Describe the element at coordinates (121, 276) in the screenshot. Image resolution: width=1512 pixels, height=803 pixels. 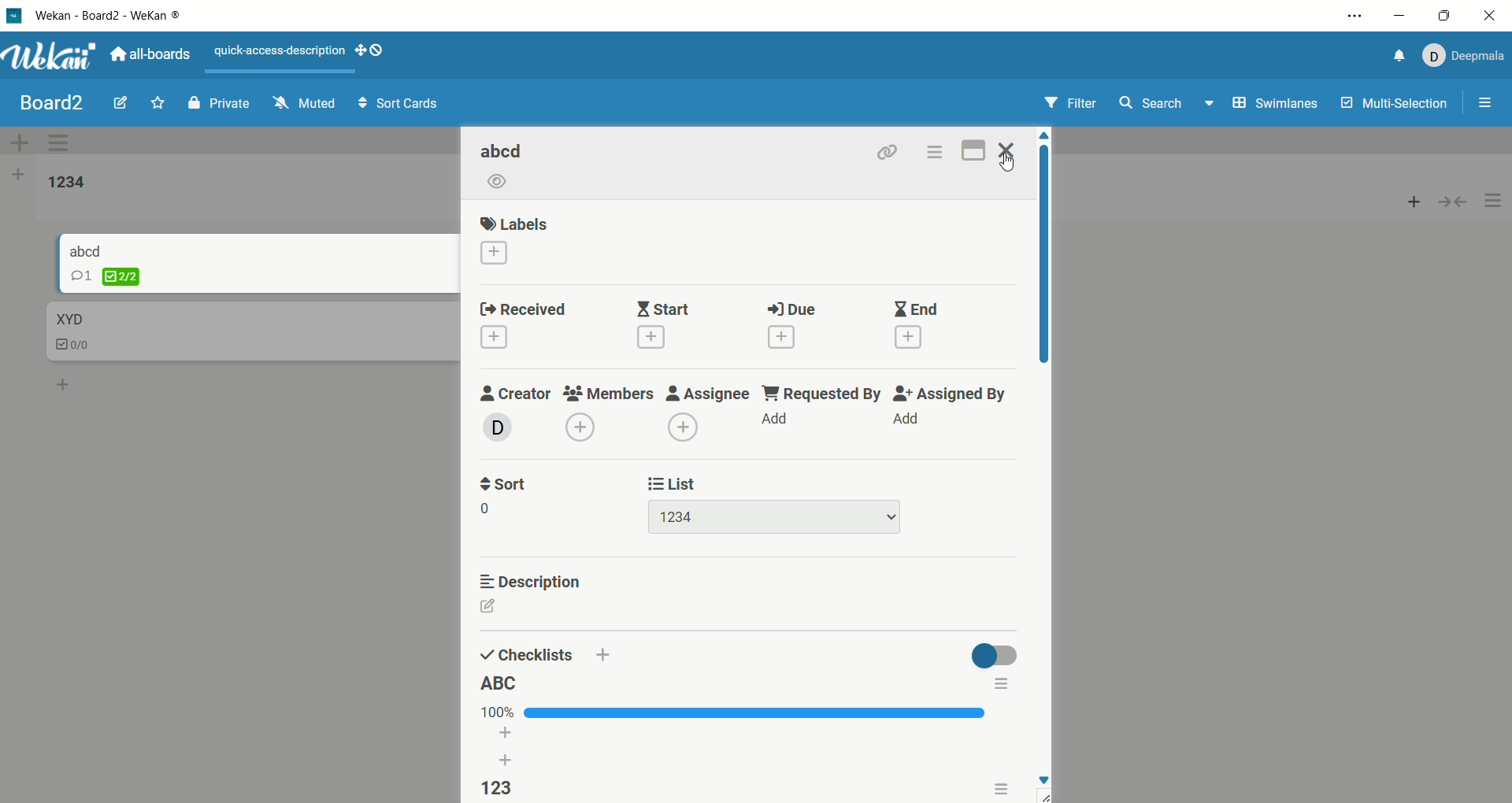
I see `checklist` at that location.